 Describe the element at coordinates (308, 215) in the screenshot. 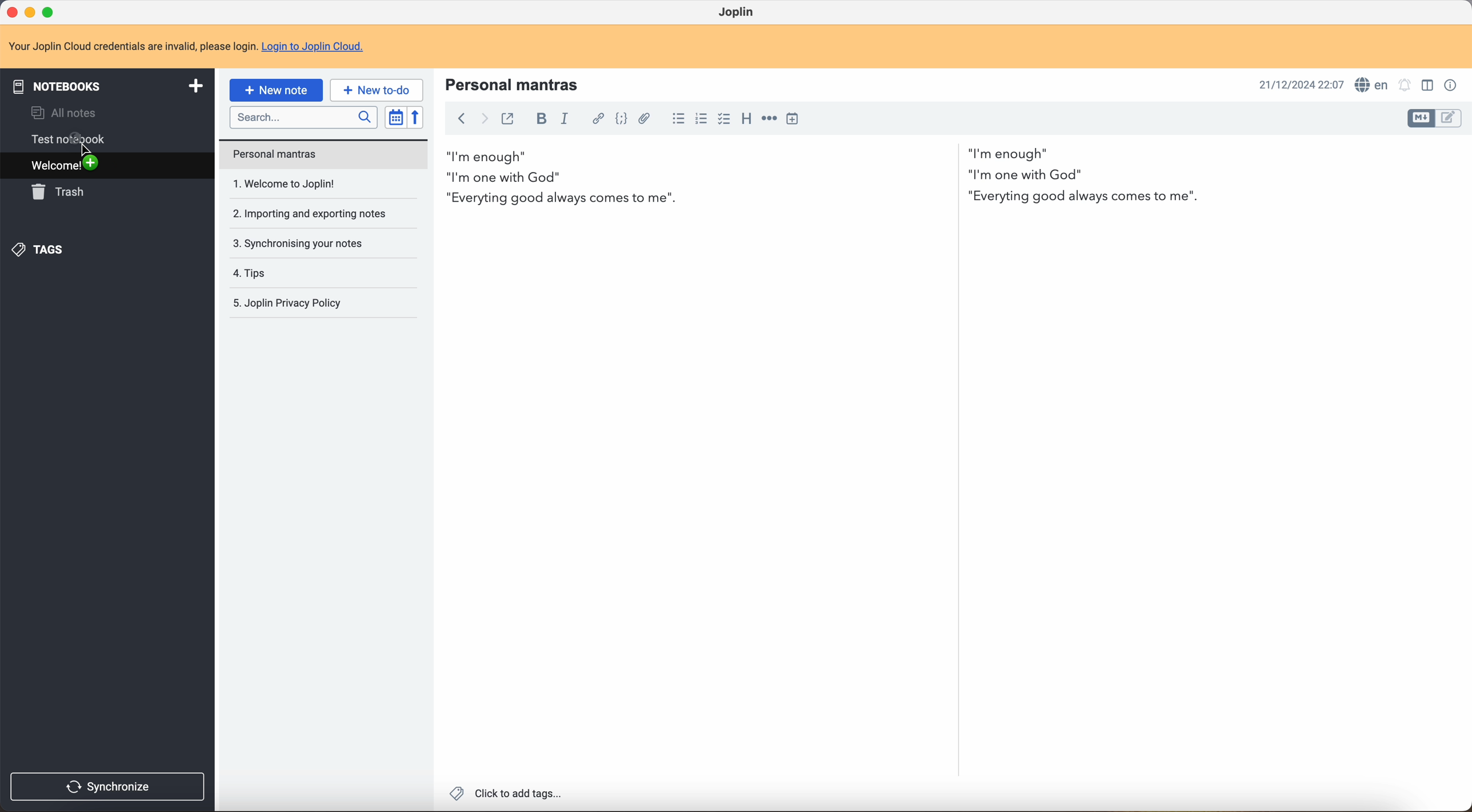

I see `importing and exporting notes` at that location.